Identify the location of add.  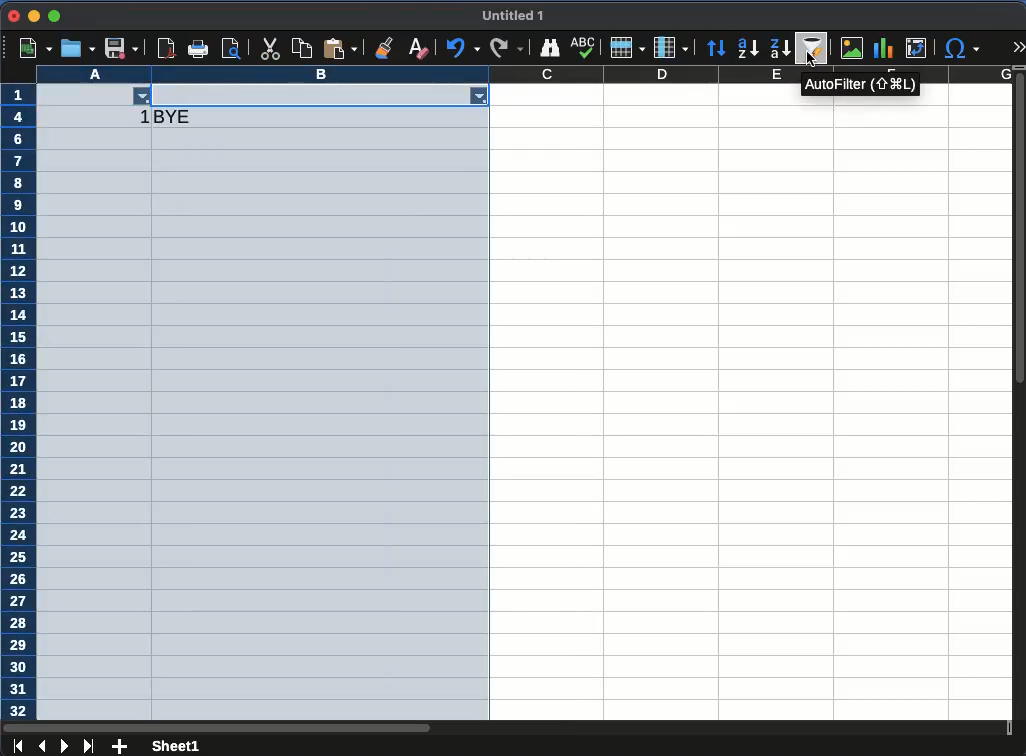
(119, 746).